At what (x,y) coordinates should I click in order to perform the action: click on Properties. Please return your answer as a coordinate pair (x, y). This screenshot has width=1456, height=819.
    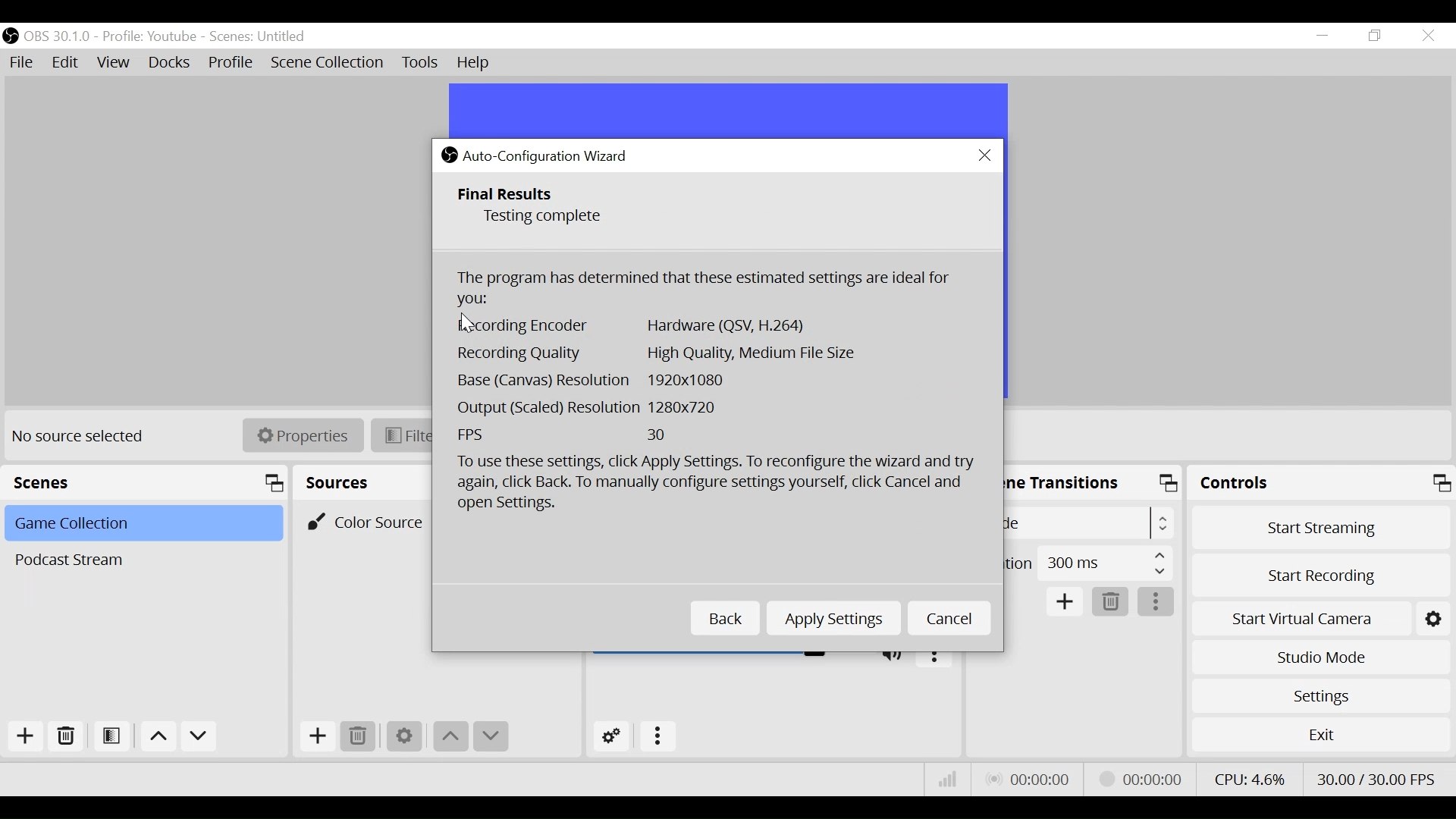
    Looking at the image, I should click on (303, 435).